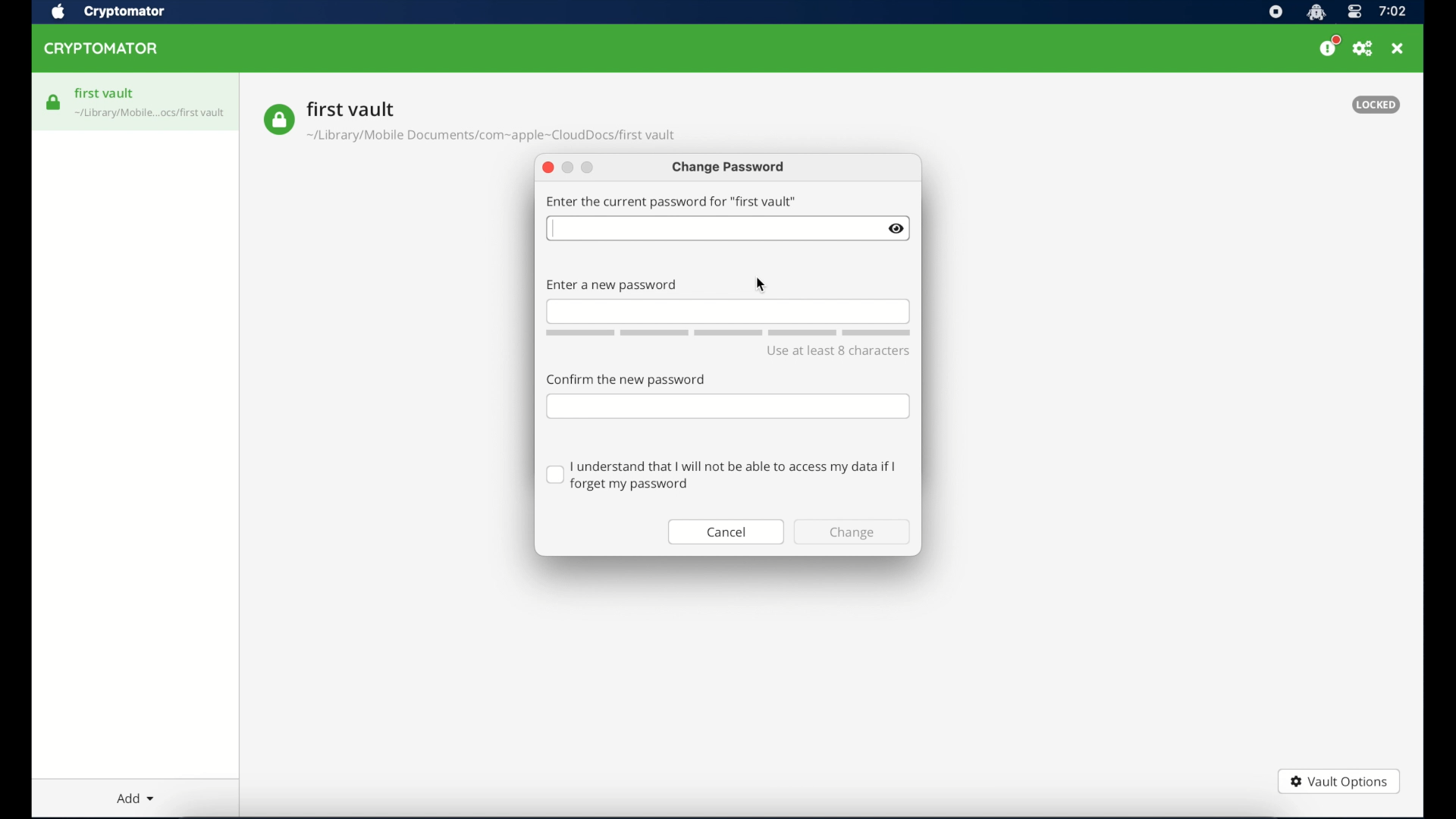  Describe the element at coordinates (57, 12) in the screenshot. I see `apple icon` at that location.